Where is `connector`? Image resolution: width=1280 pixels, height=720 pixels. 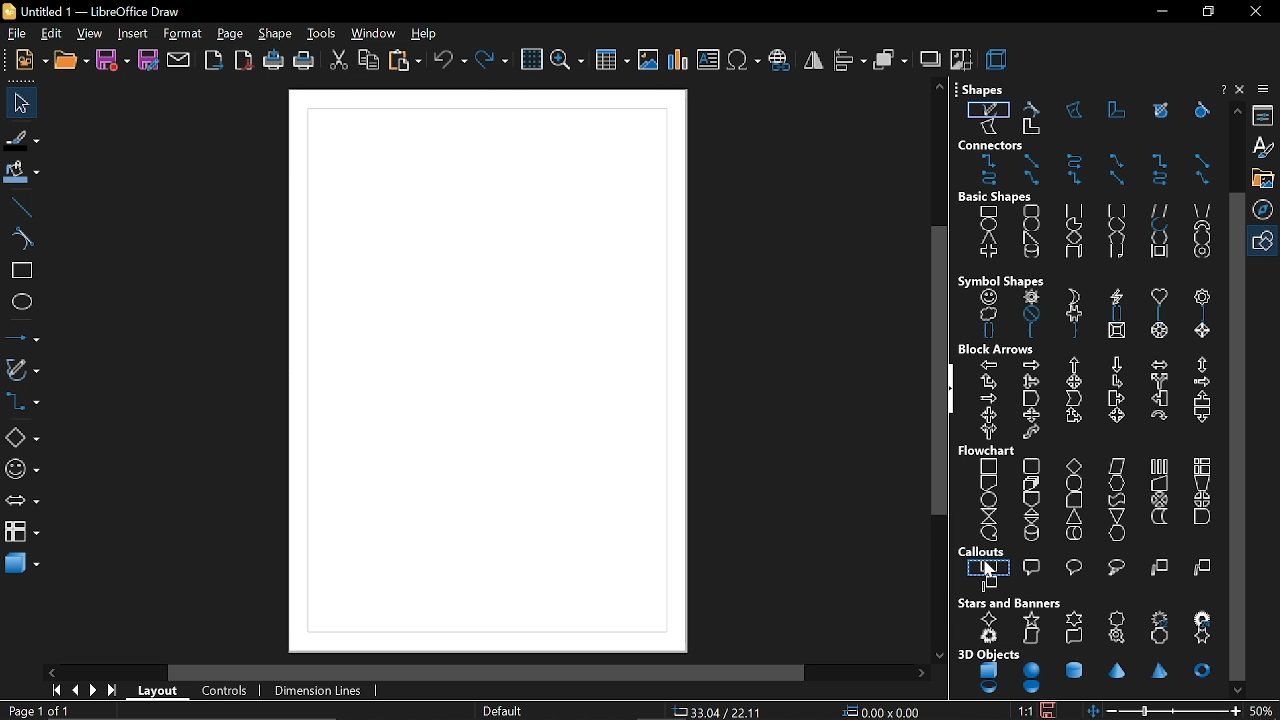
connector is located at coordinates (1161, 161).